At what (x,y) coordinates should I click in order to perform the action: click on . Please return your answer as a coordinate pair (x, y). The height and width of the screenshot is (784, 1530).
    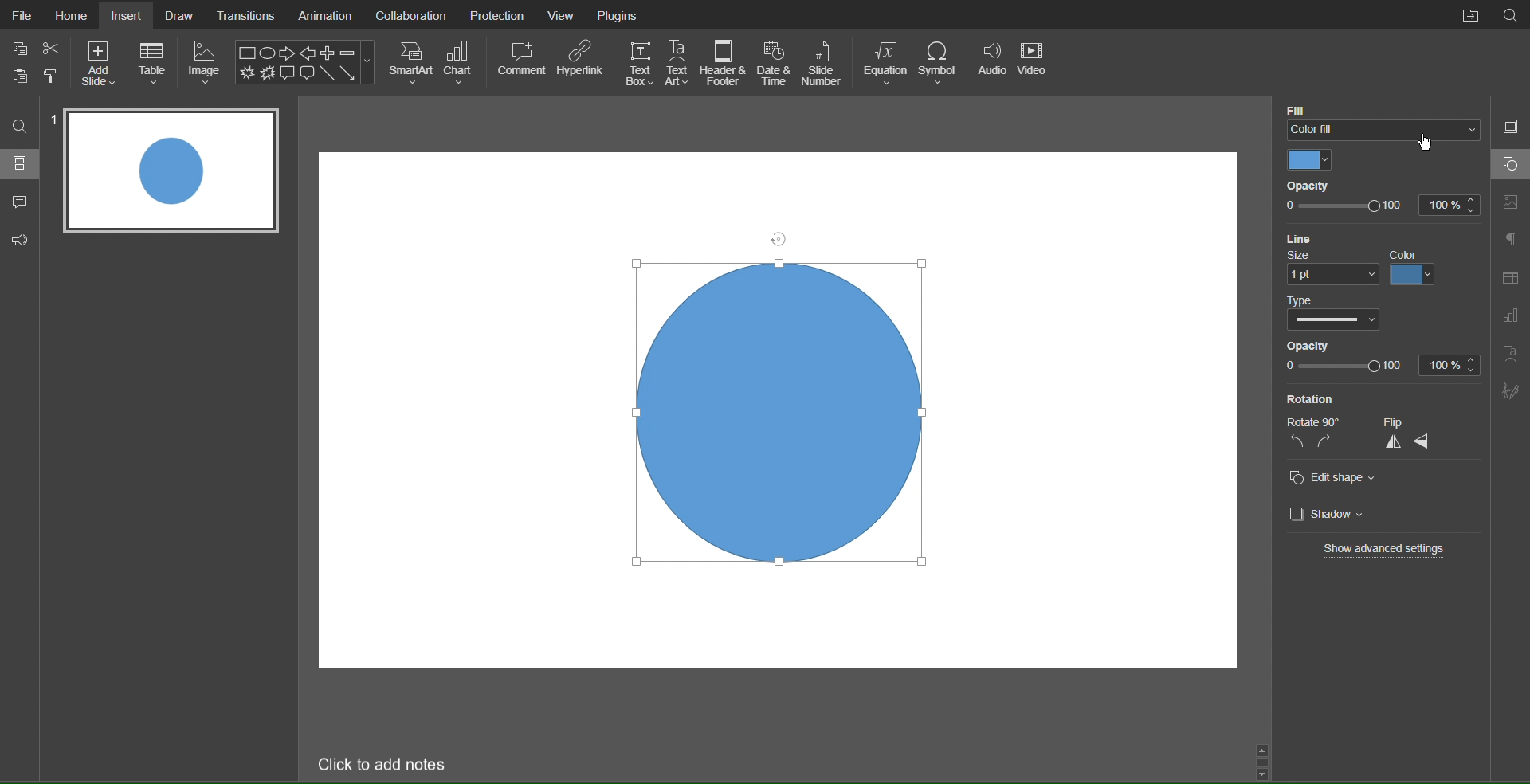
    Looking at the image, I should click on (1340, 206).